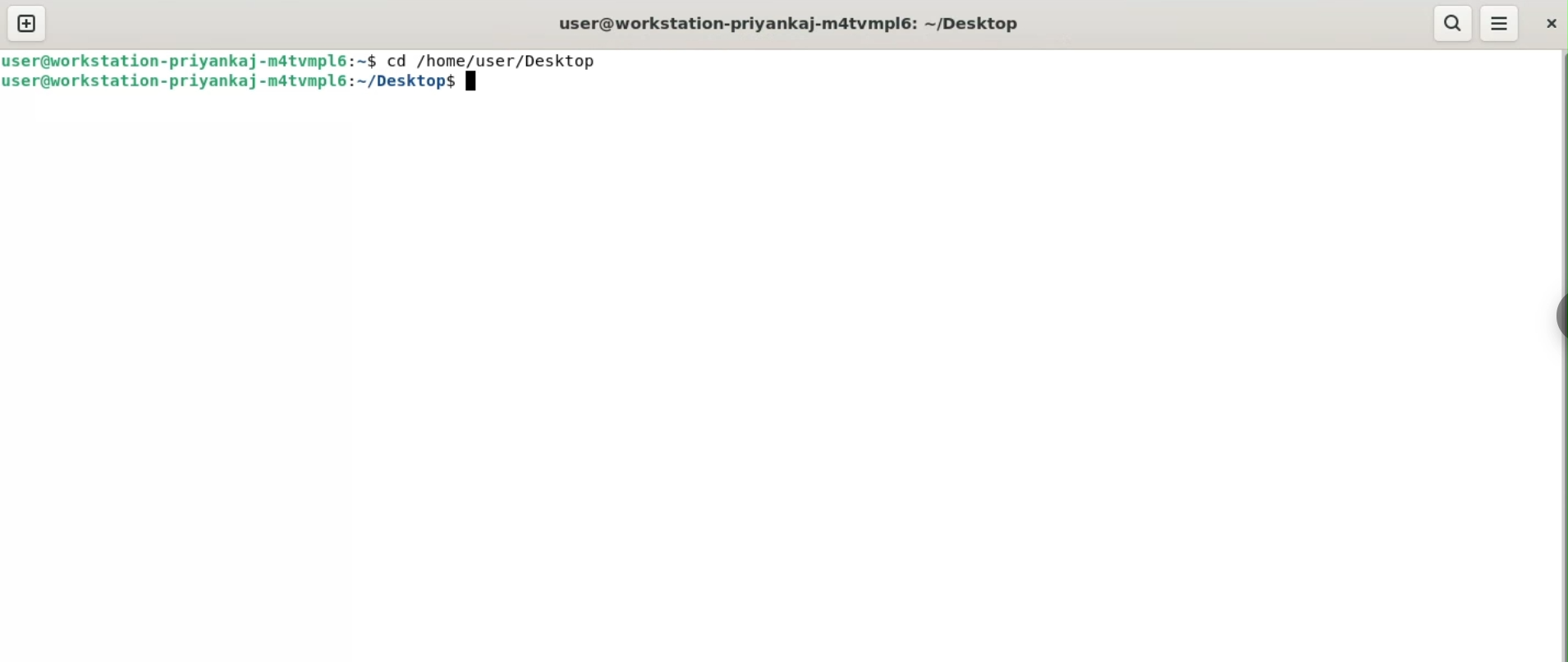 The width and height of the screenshot is (1568, 662). What do you see at coordinates (1550, 25) in the screenshot?
I see `close` at bounding box center [1550, 25].